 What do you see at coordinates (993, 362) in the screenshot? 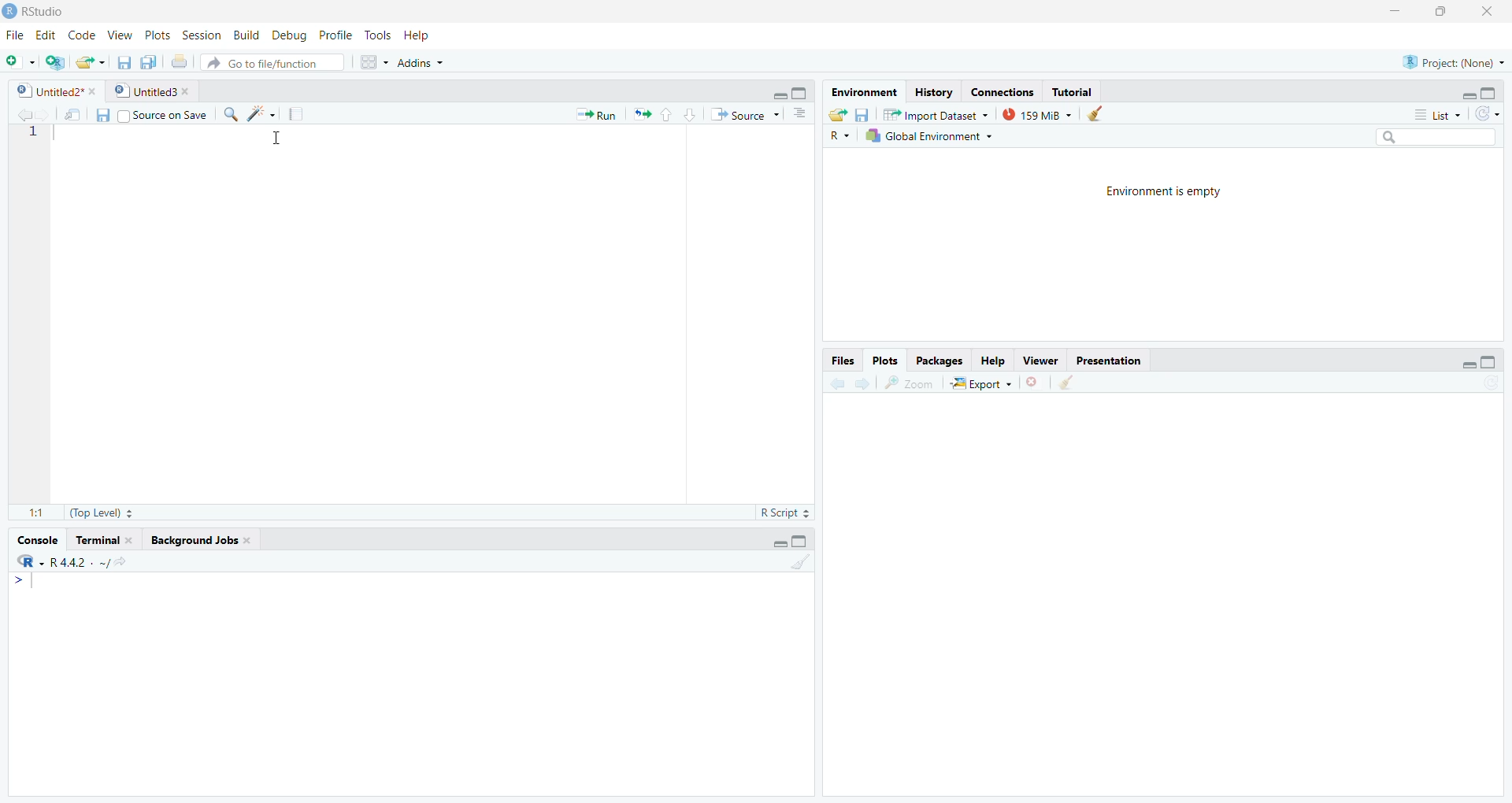
I see `Help` at bounding box center [993, 362].